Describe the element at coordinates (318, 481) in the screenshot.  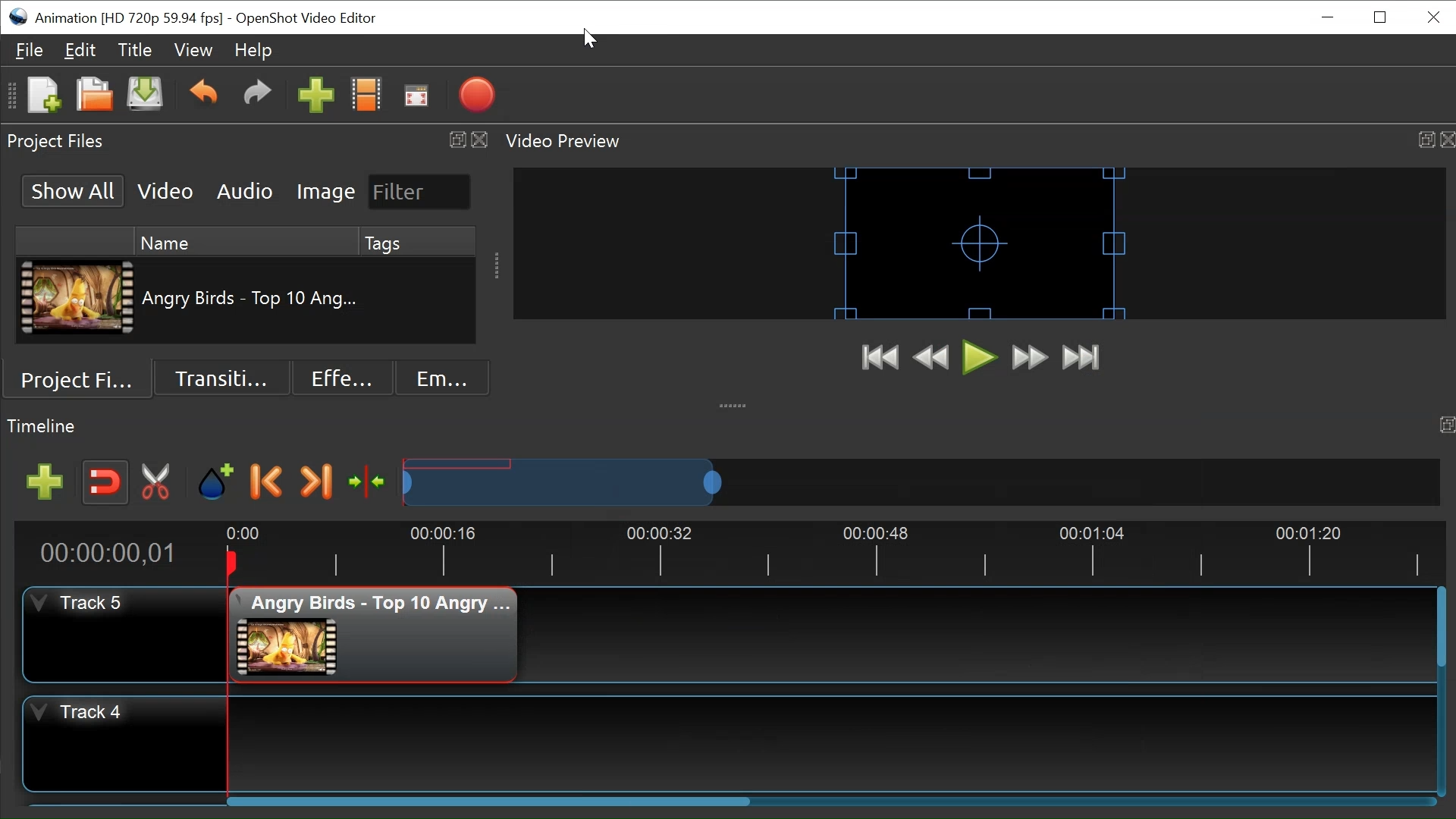
I see `Next Marker` at that location.